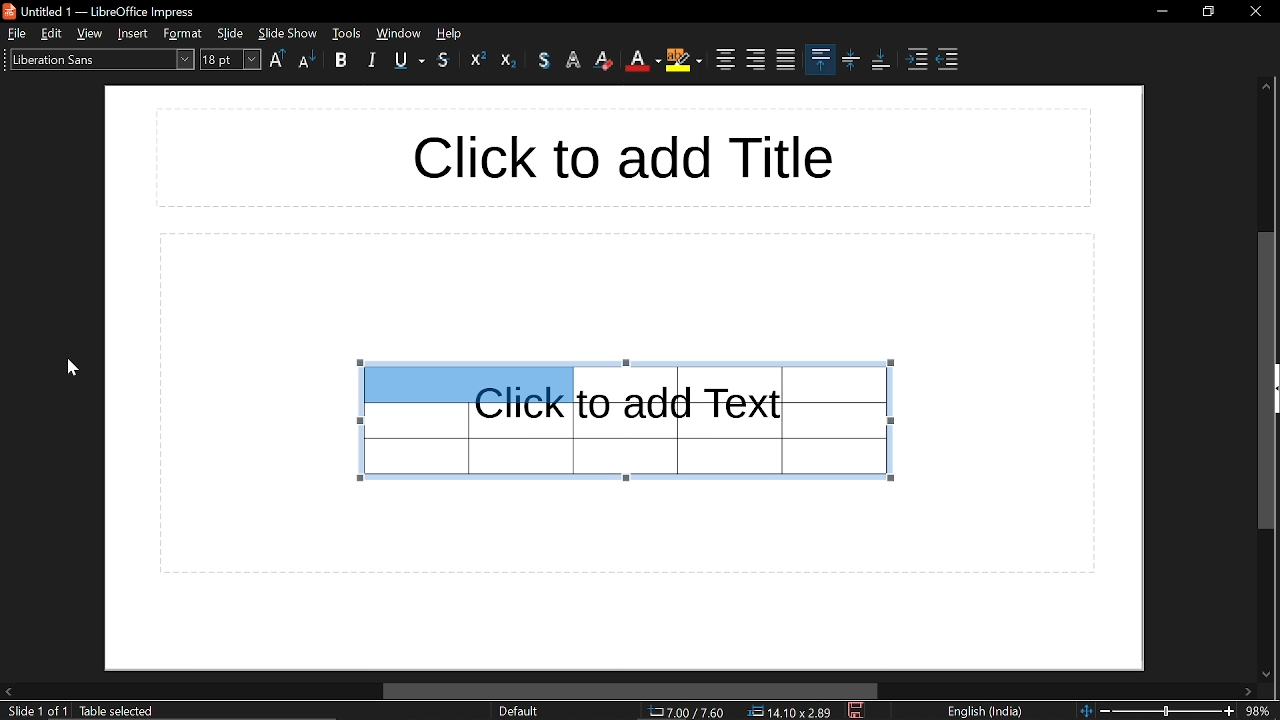 Image resolution: width=1280 pixels, height=720 pixels. What do you see at coordinates (347, 33) in the screenshot?
I see `window` at bounding box center [347, 33].